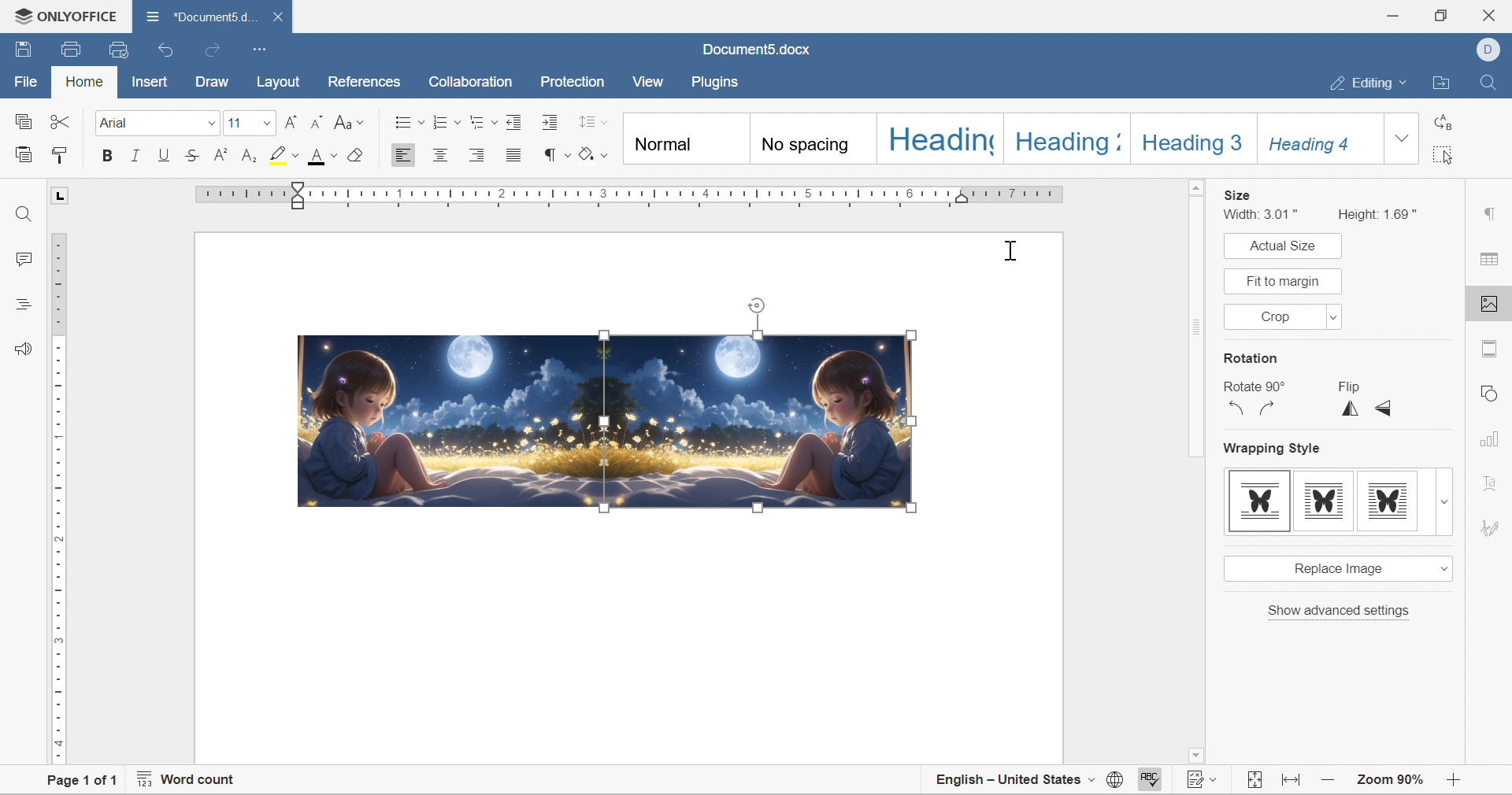 This screenshot has height=795, width=1512. I want to click on square, so click(1323, 501).